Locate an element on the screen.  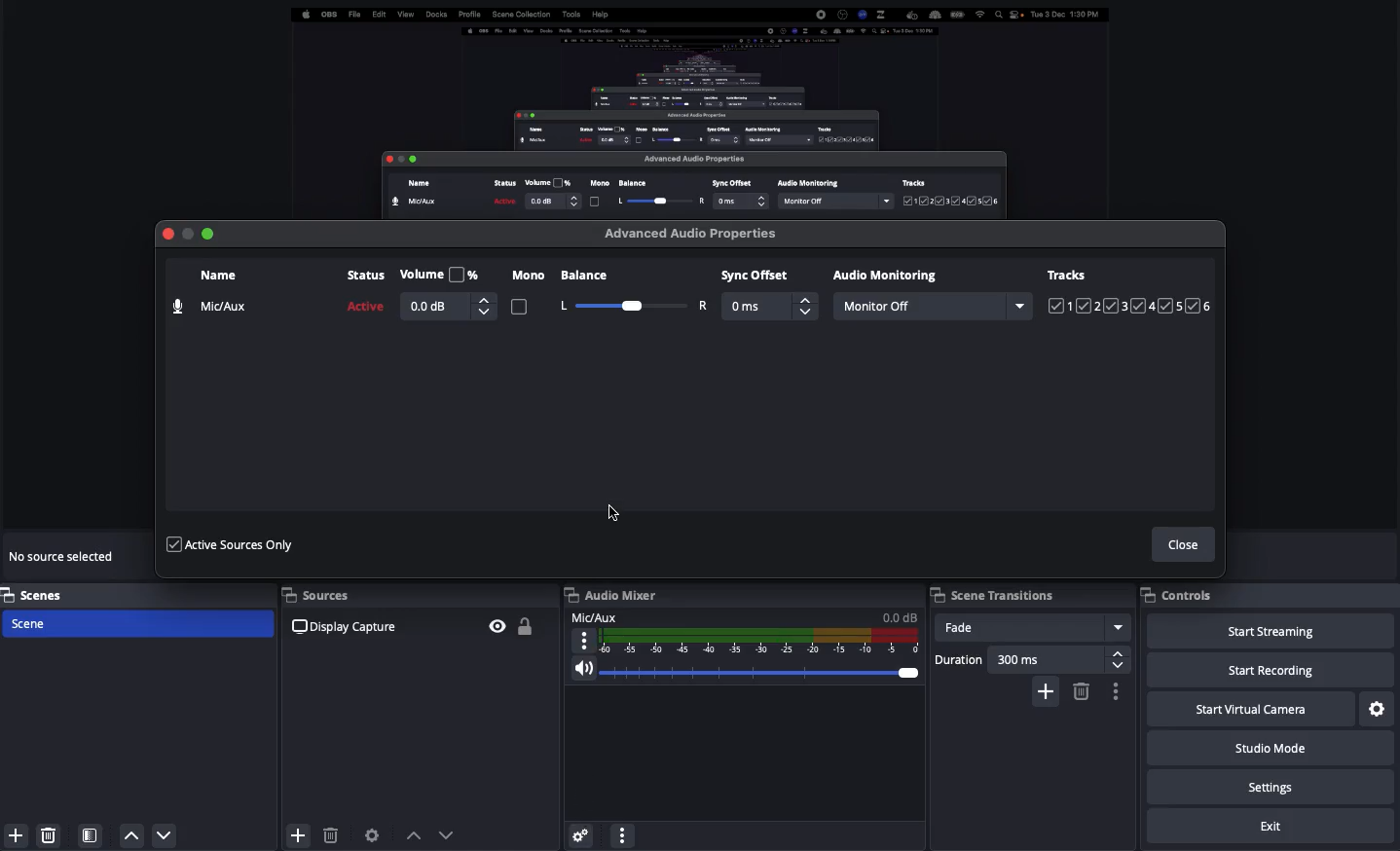
minimize is located at coordinates (186, 239).